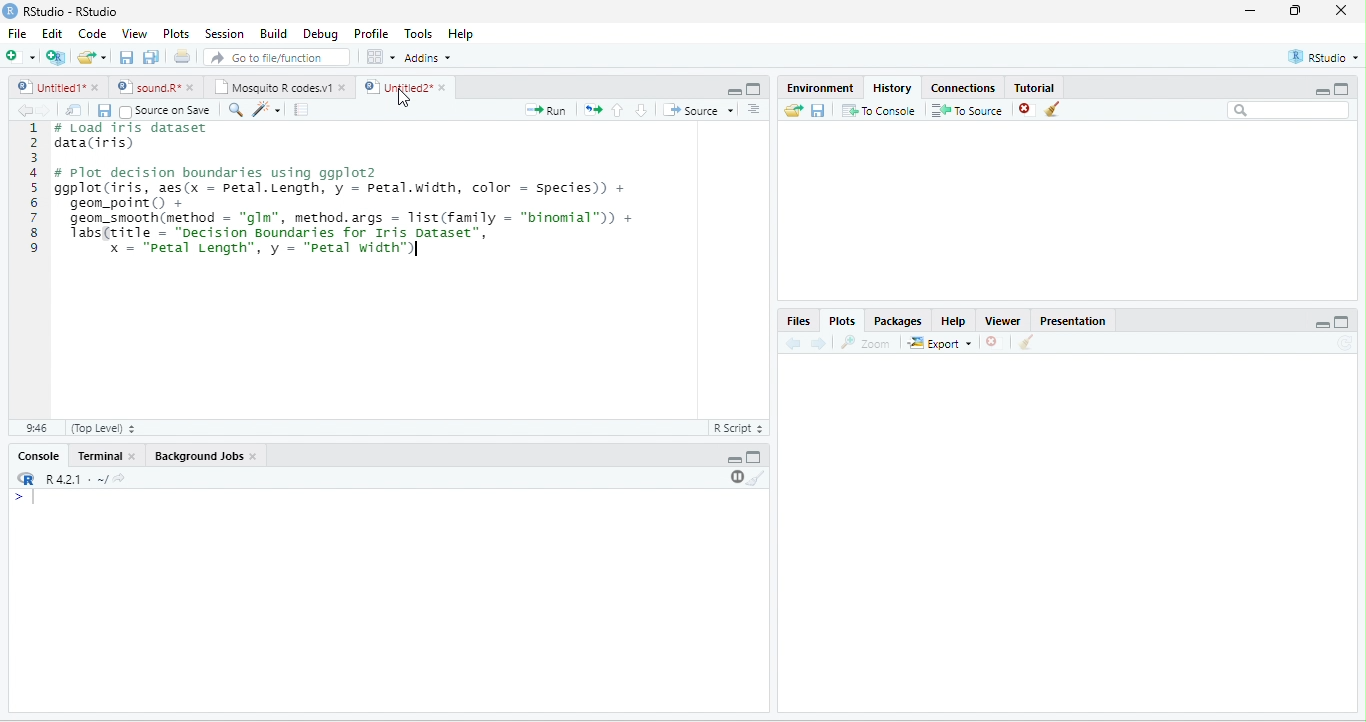 Image resolution: width=1366 pixels, height=722 pixels. What do you see at coordinates (345, 187) in the screenshot?
I see `# Plot decision boundaries using ggplot2
ggplot(iris, aes(x = petal.Length, y = Petal.width, color = Species) +
geom_point() +` at bounding box center [345, 187].